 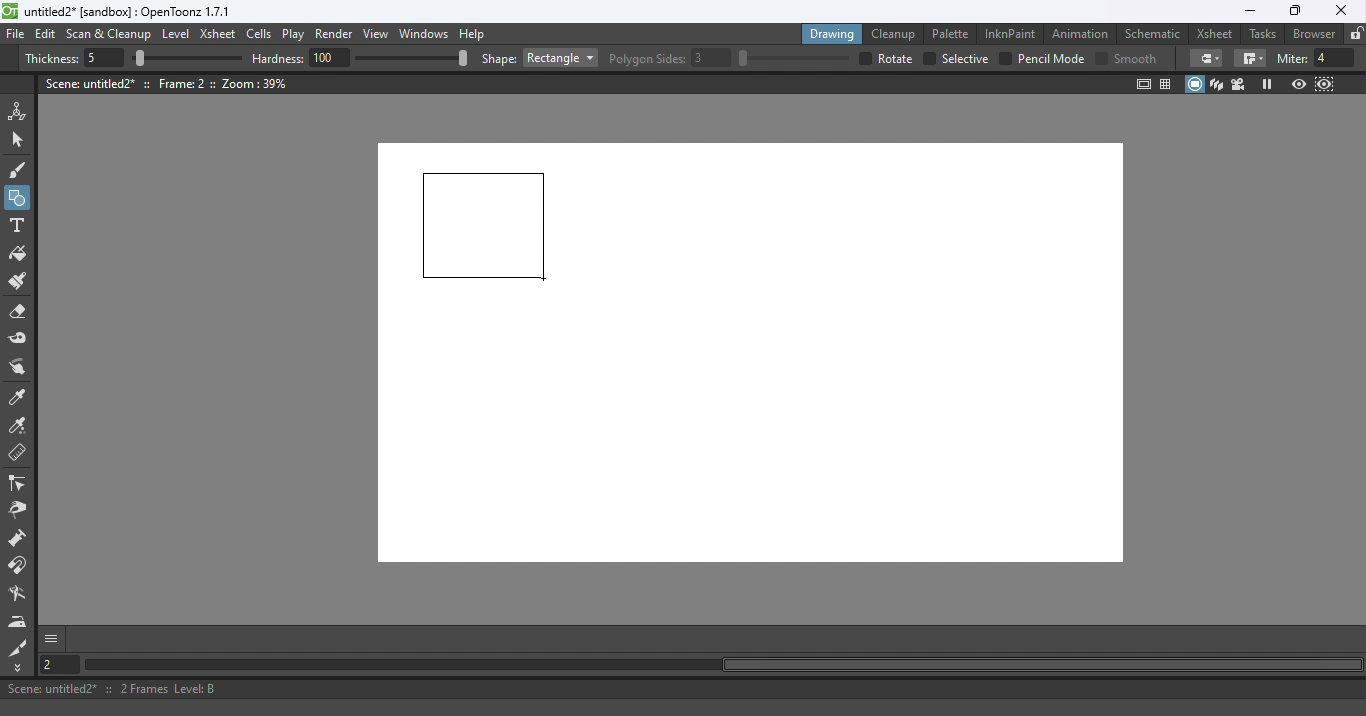 I want to click on Horizontal scroll bar, so click(x=722, y=665).